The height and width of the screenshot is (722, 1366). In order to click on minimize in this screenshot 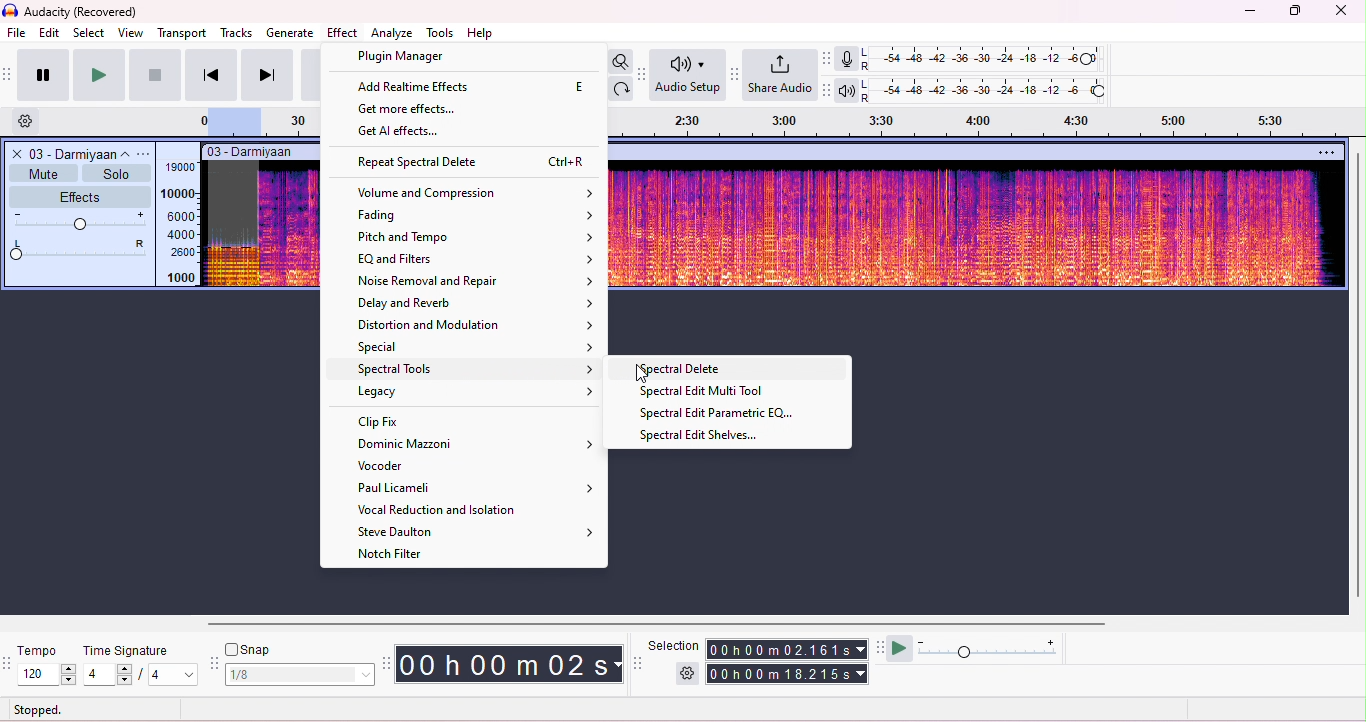, I will do `click(1250, 14)`.